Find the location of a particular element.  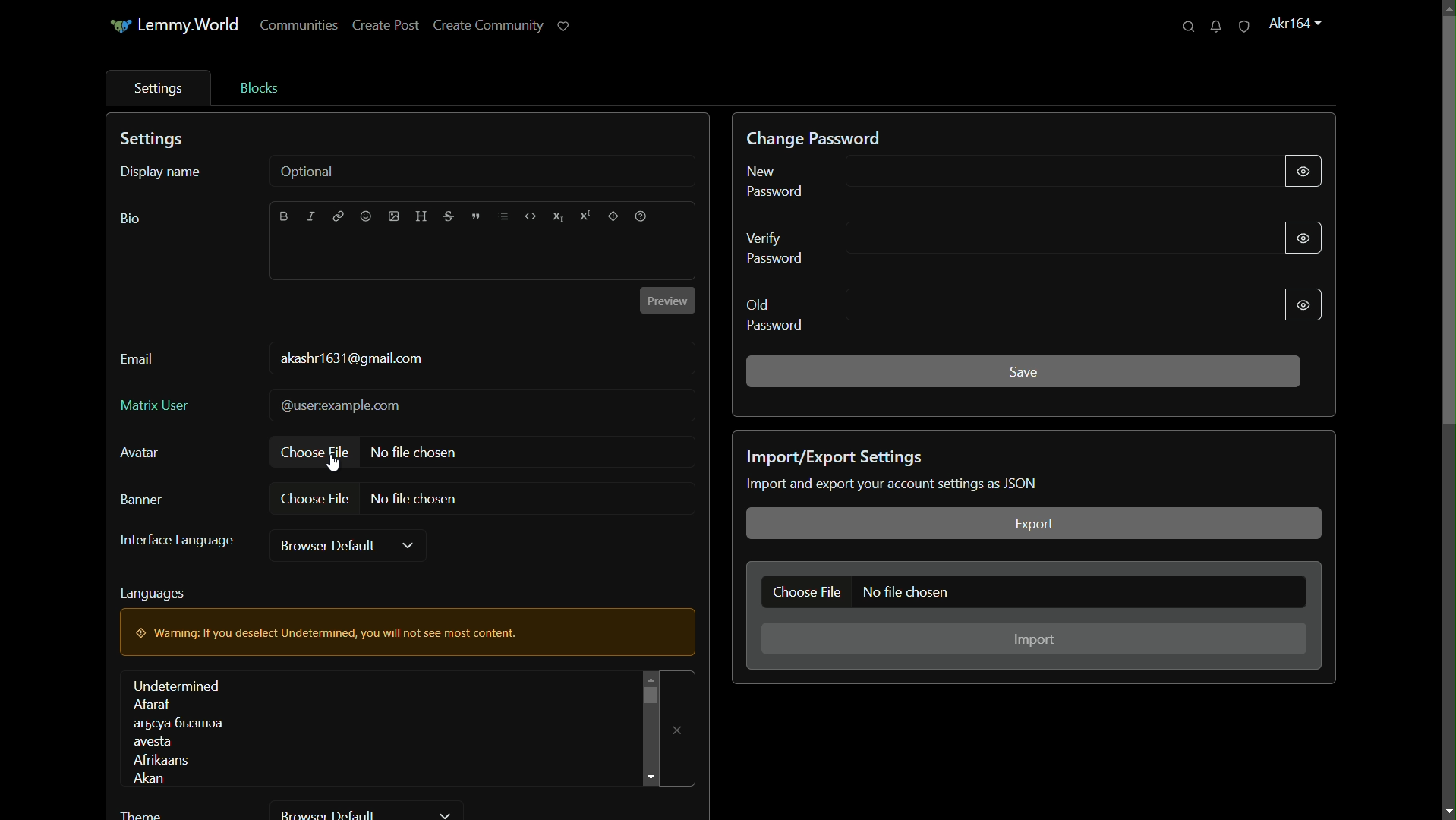

help is located at coordinates (642, 216).